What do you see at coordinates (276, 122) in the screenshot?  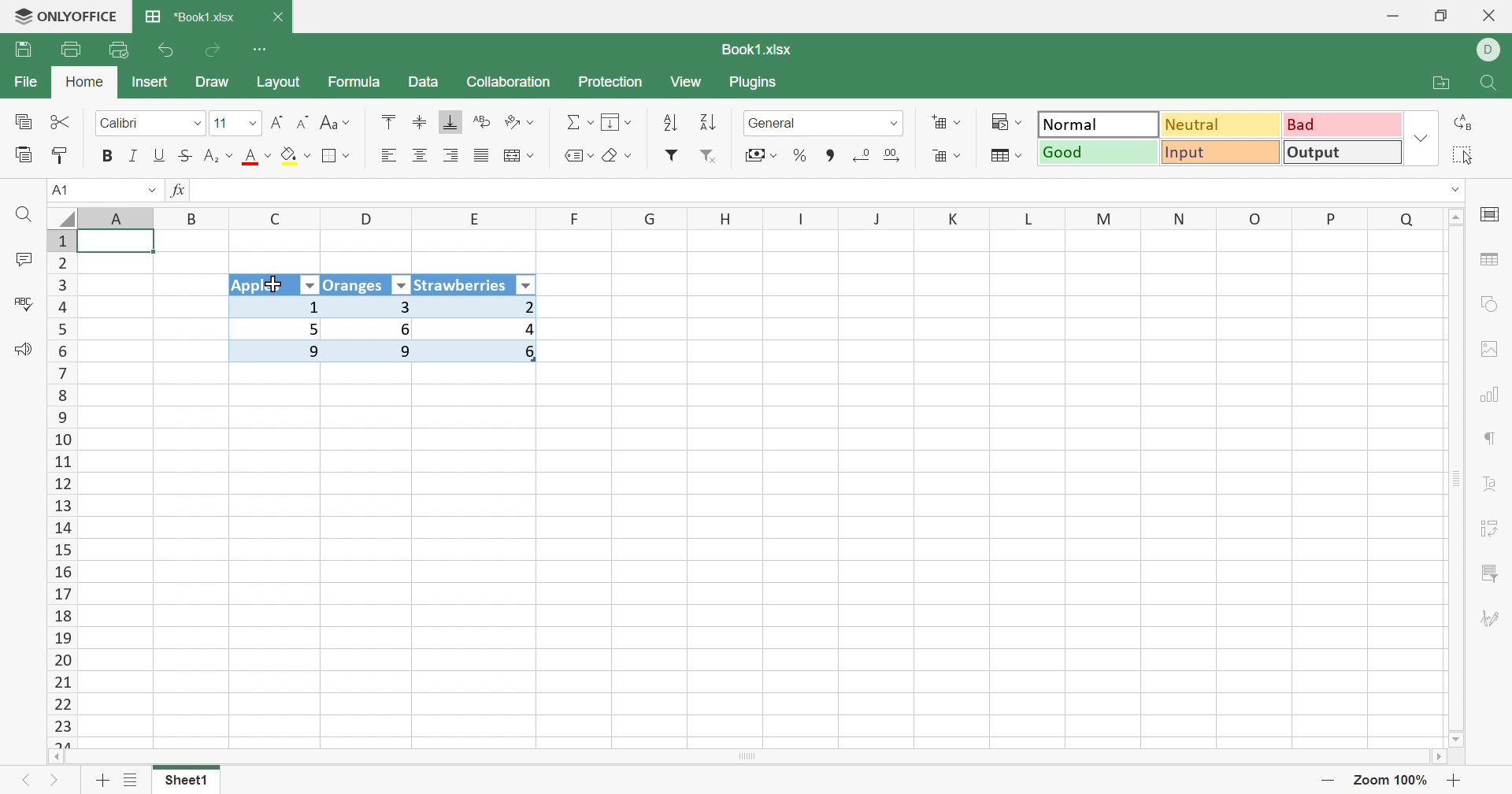 I see `Increment font size` at bounding box center [276, 122].